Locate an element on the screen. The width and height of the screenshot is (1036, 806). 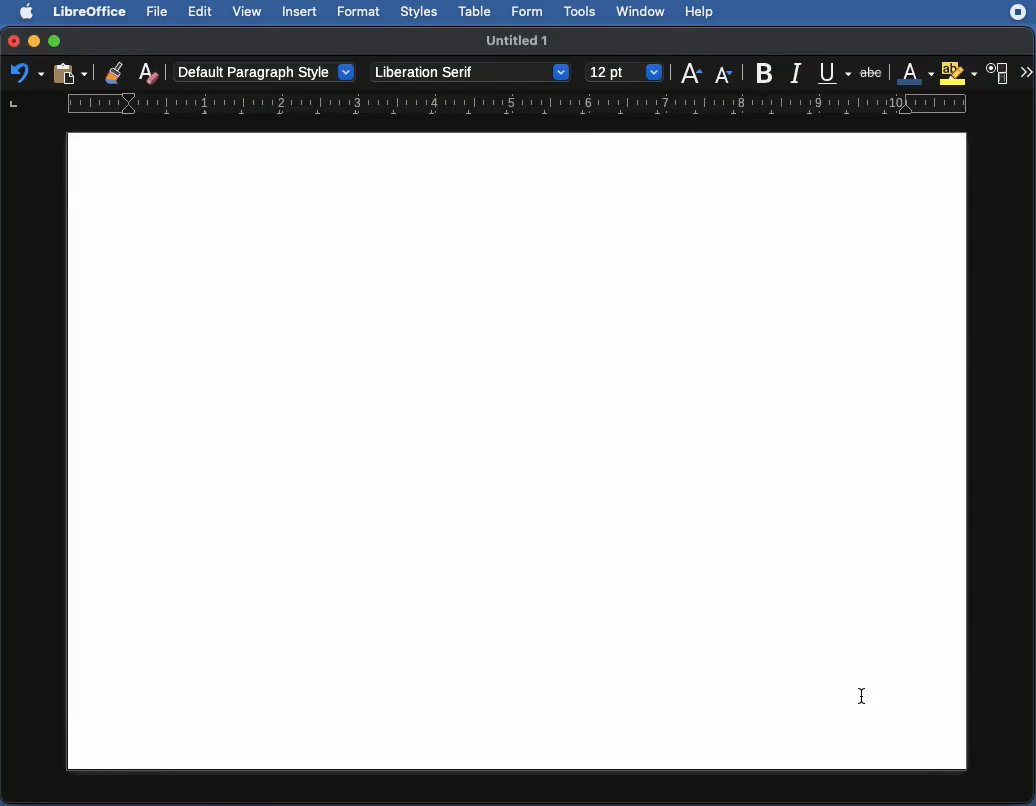
Size up is located at coordinates (691, 75).